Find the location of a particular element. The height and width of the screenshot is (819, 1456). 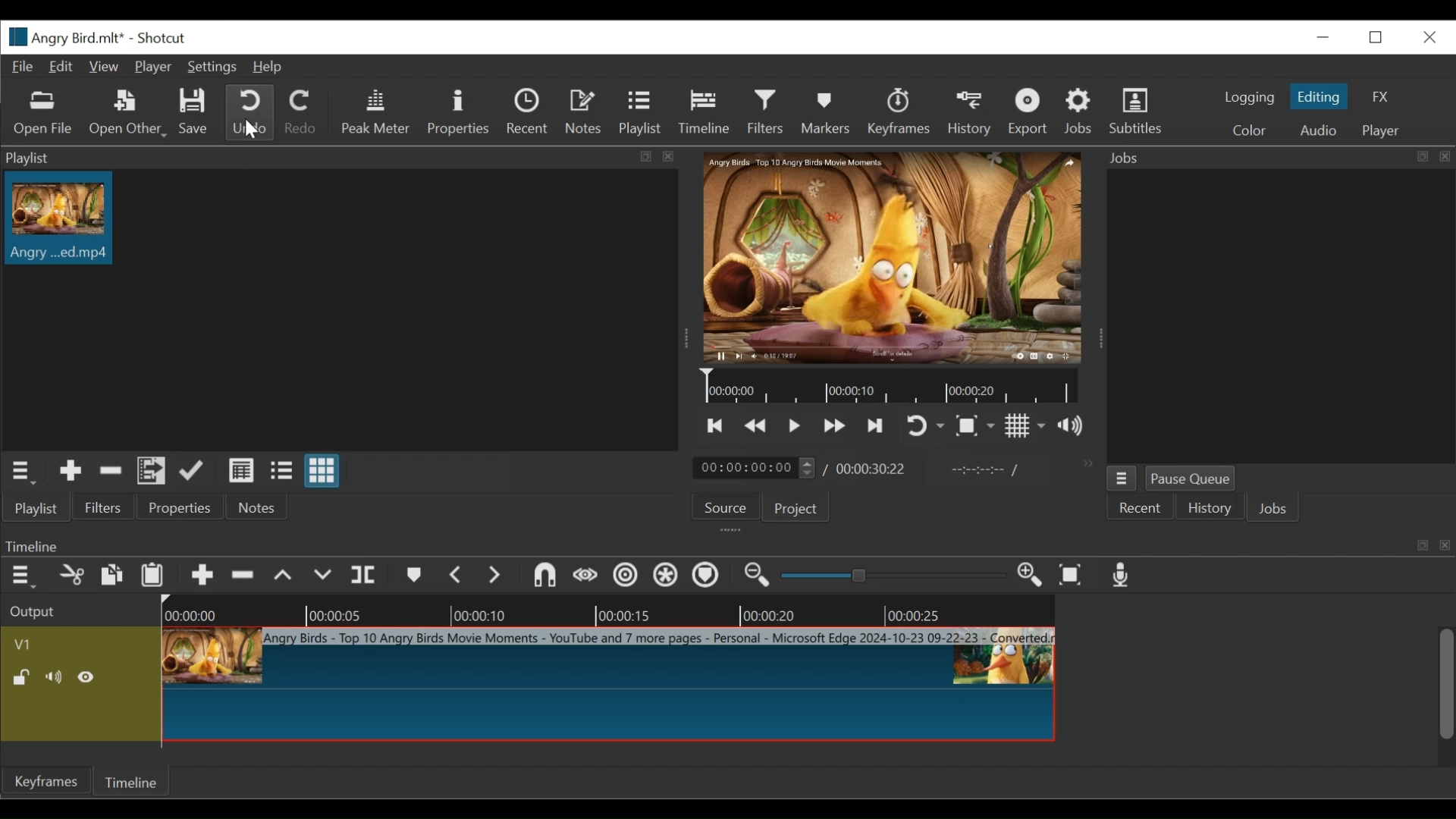

Save is located at coordinates (192, 111).